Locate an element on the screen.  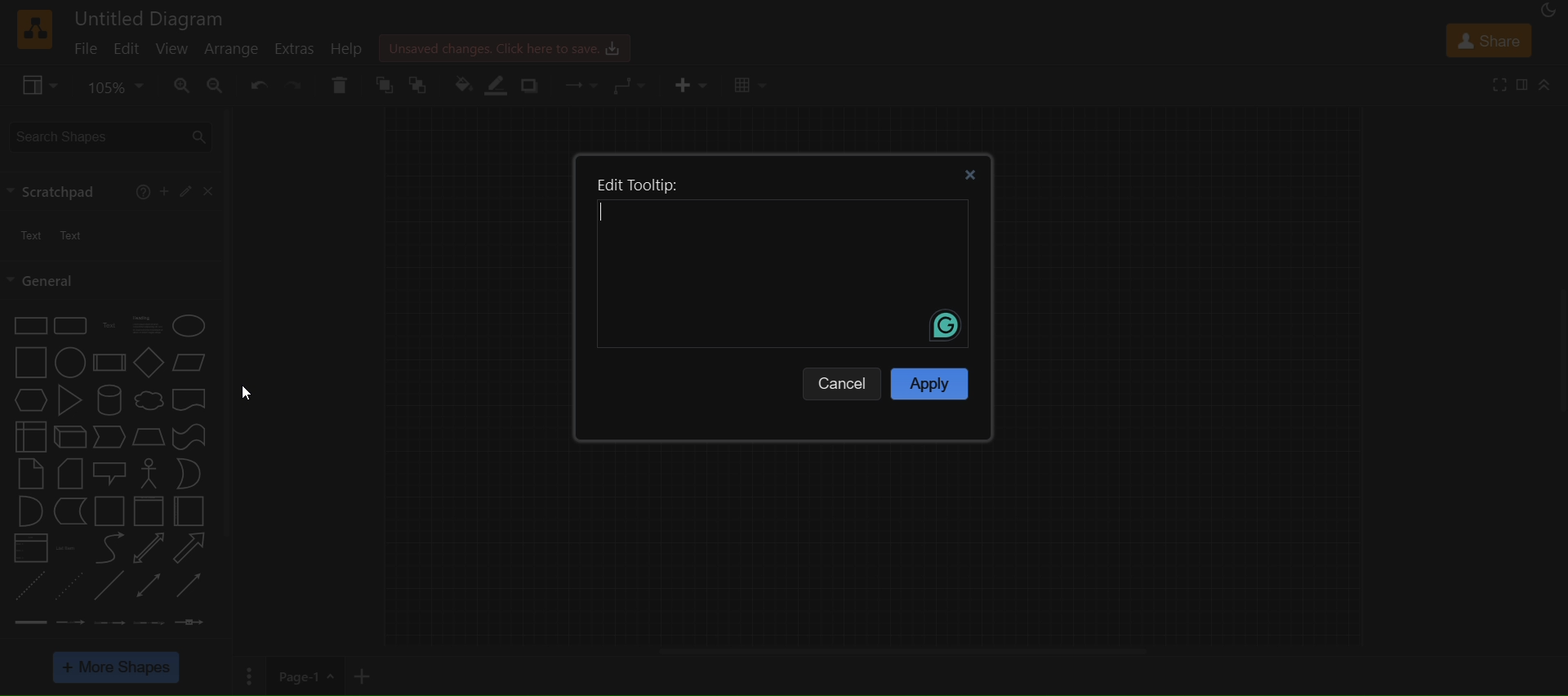
process is located at coordinates (107, 363).